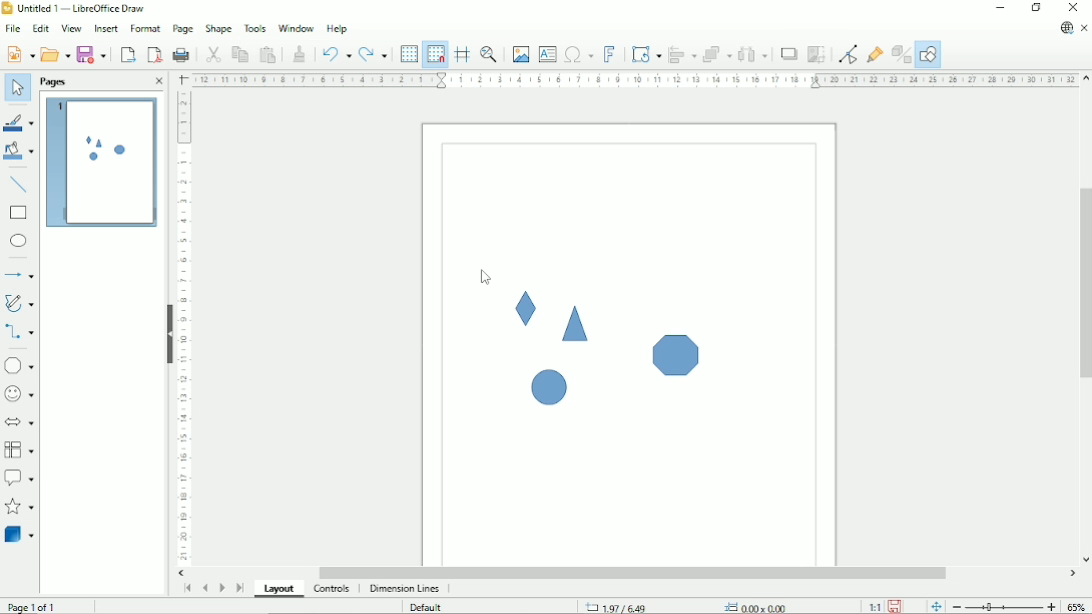  I want to click on 3 D Objects, so click(20, 535).